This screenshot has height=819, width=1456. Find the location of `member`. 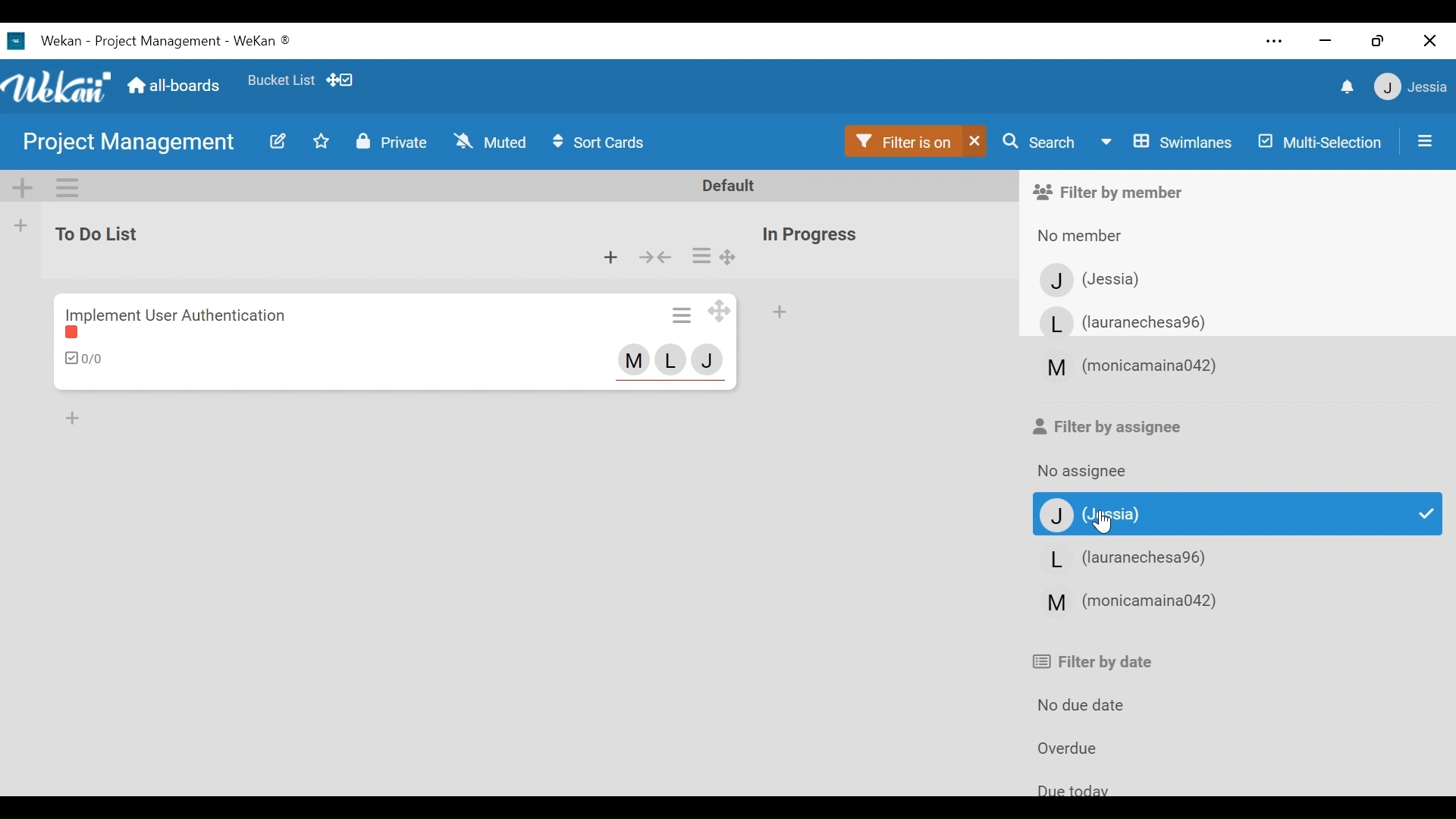

member is located at coordinates (631, 361).